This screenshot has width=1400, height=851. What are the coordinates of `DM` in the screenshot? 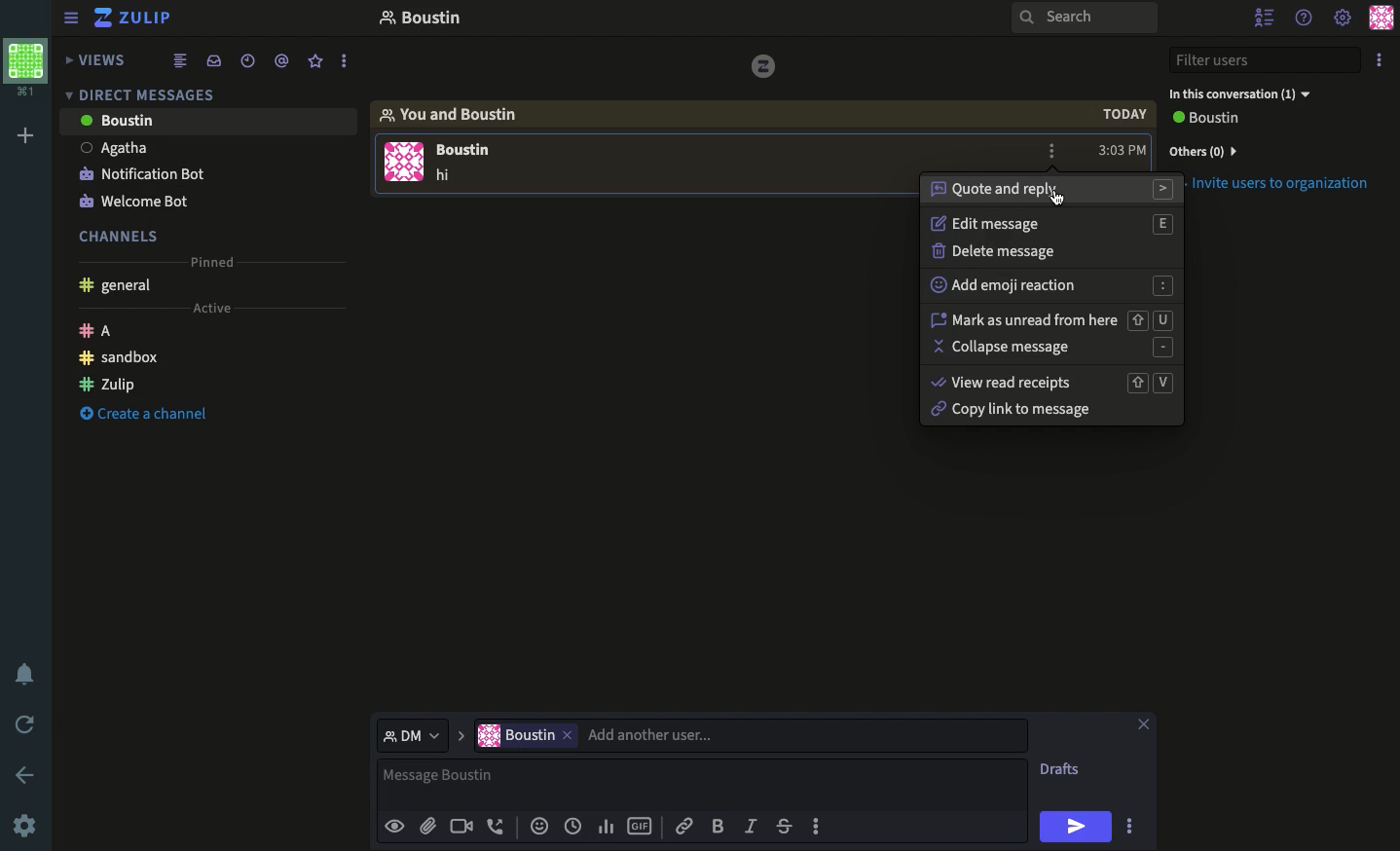 It's located at (145, 93).